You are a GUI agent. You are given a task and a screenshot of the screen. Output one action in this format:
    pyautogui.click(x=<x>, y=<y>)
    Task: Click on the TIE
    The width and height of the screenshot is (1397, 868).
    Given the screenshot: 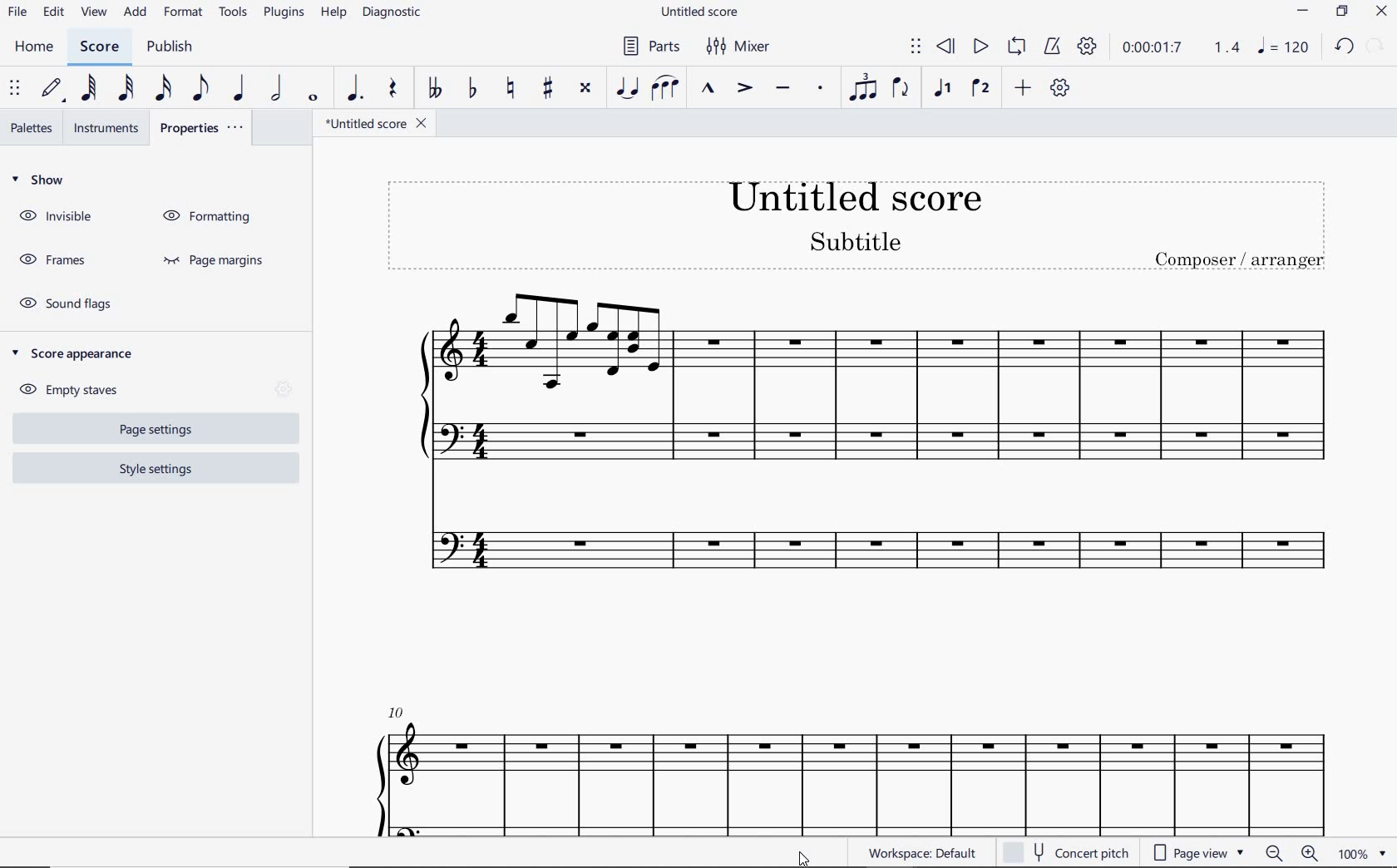 What is the action you would take?
    pyautogui.click(x=628, y=87)
    